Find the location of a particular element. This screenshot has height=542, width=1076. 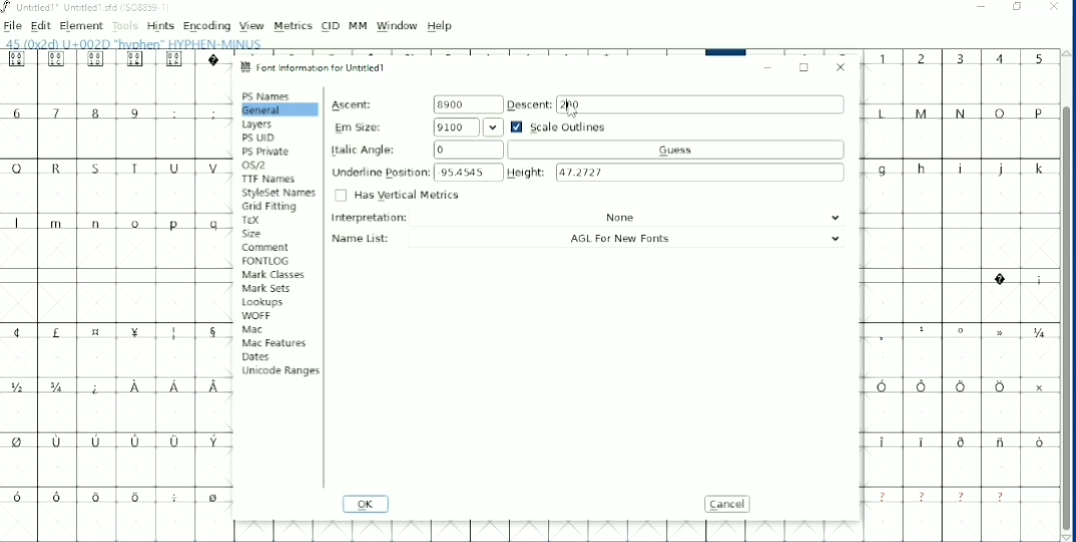

PS UID is located at coordinates (259, 138).